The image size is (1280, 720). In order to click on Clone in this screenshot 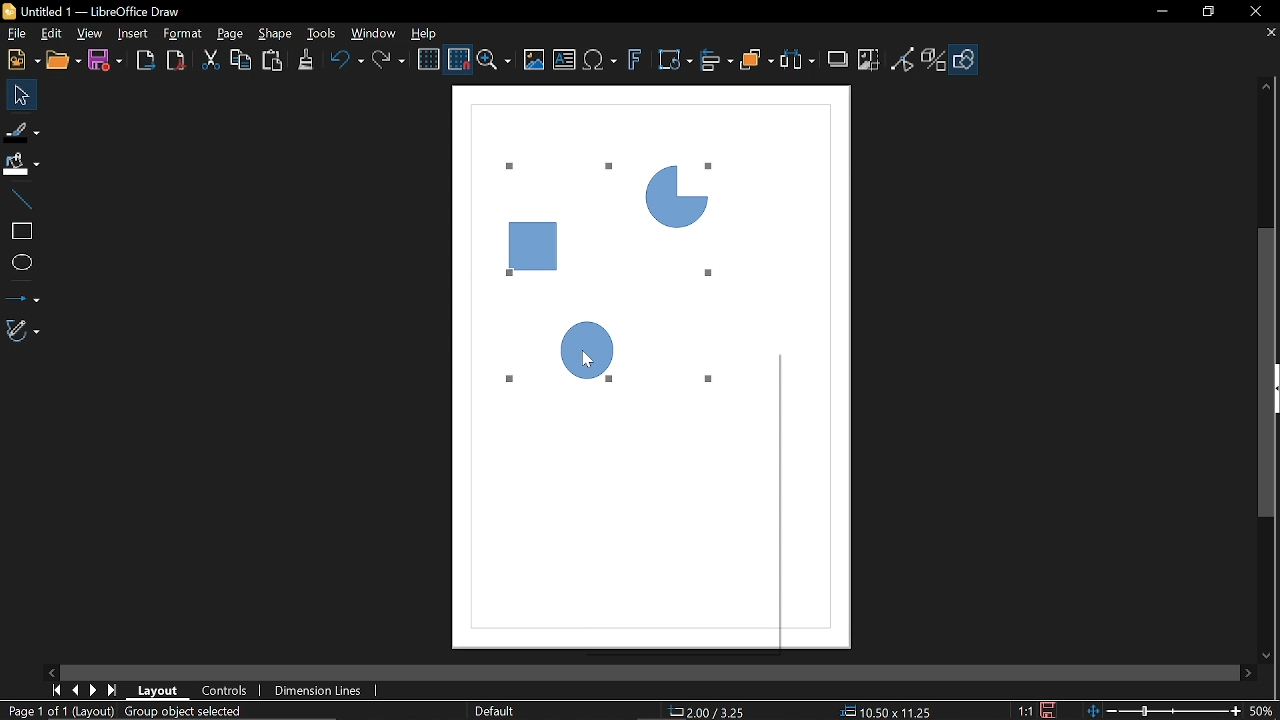, I will do `click(306, 61)`.